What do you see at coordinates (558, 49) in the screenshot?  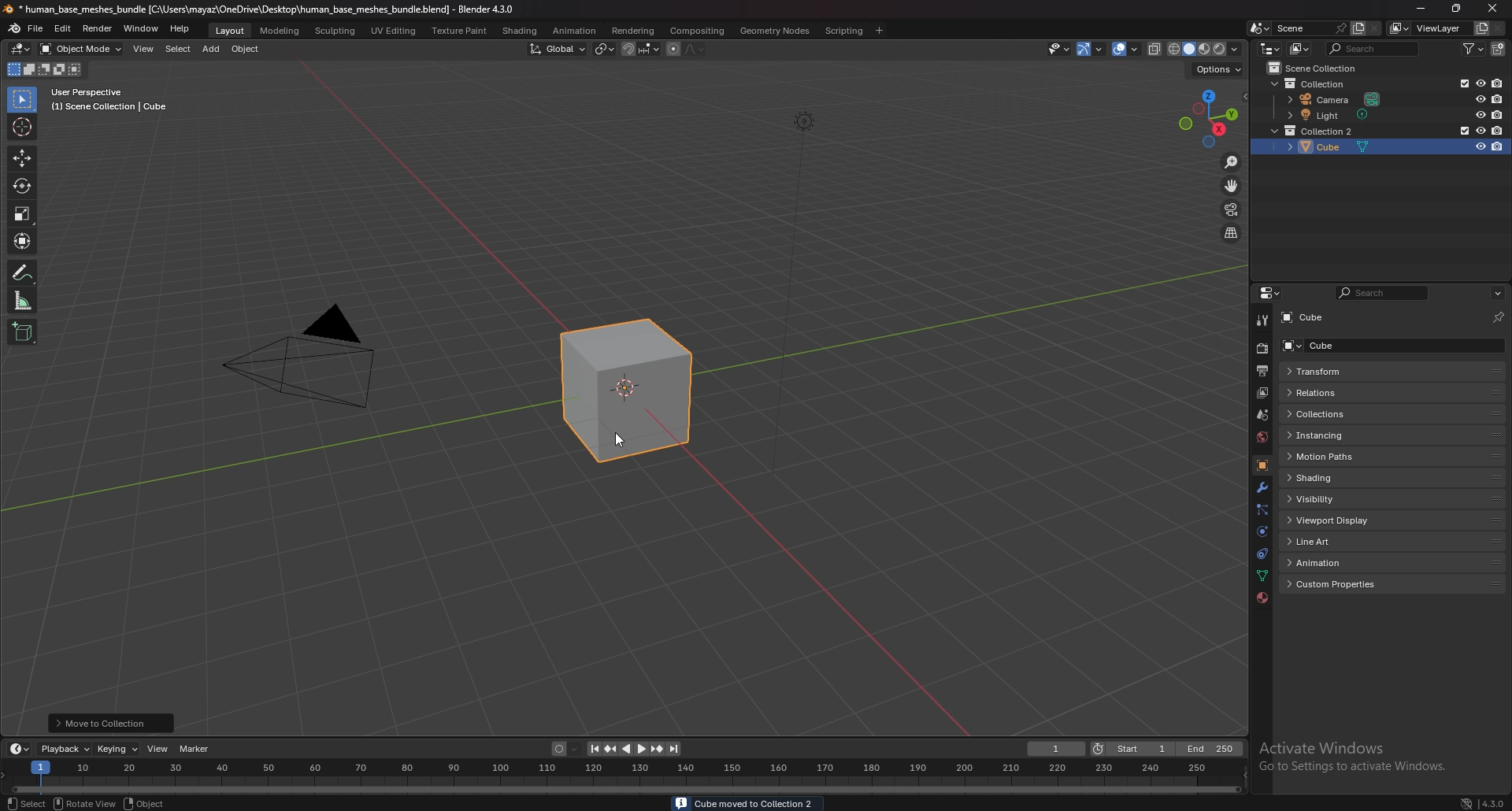 I see `transform orientation` at bounding box center [558, 49].